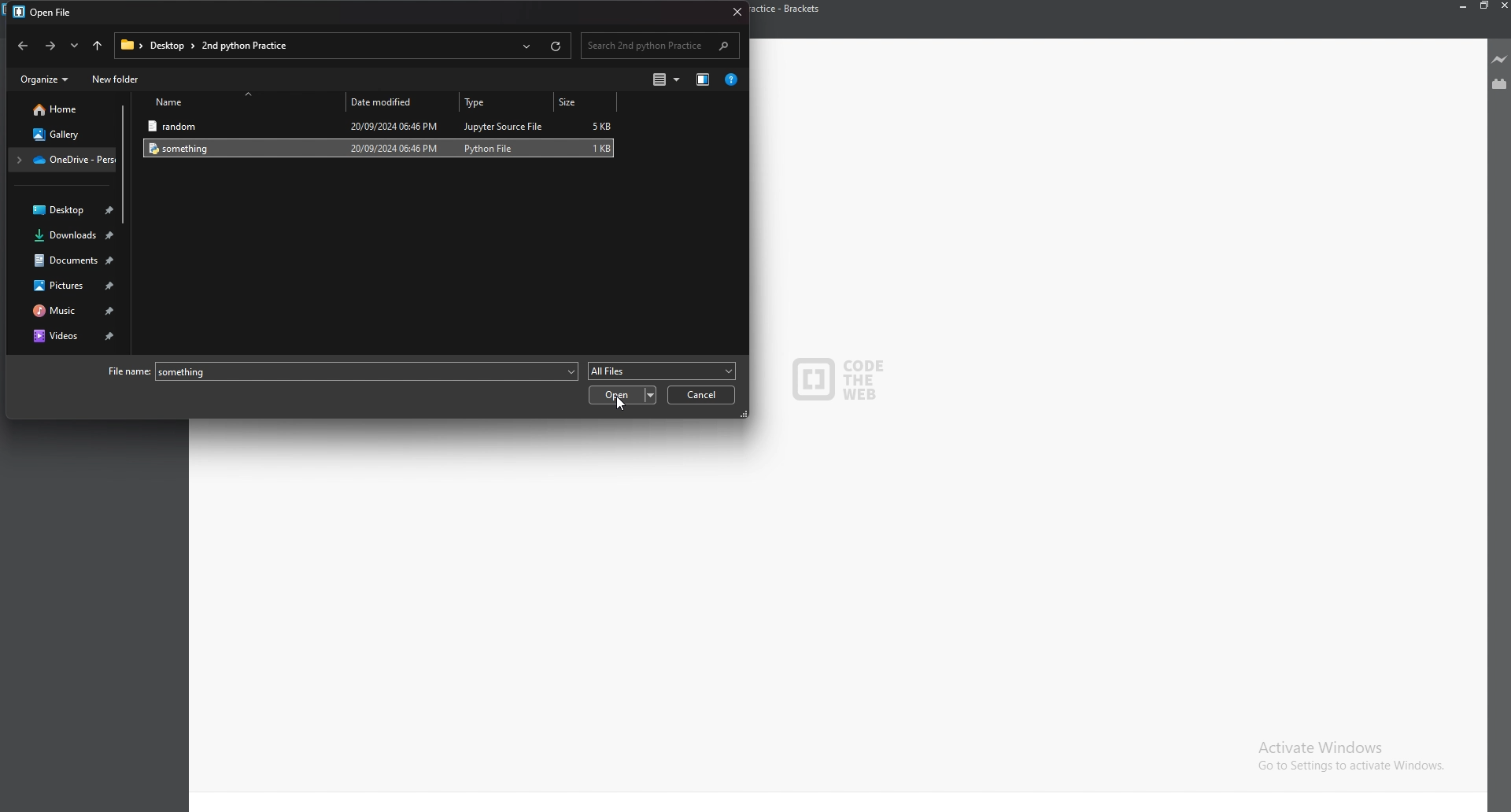 This screenshot has height=812, width=1511. What do you see at coordinates (601, 126) in the screenshot?
I see `5 KB` at bounding box center [601, 126].